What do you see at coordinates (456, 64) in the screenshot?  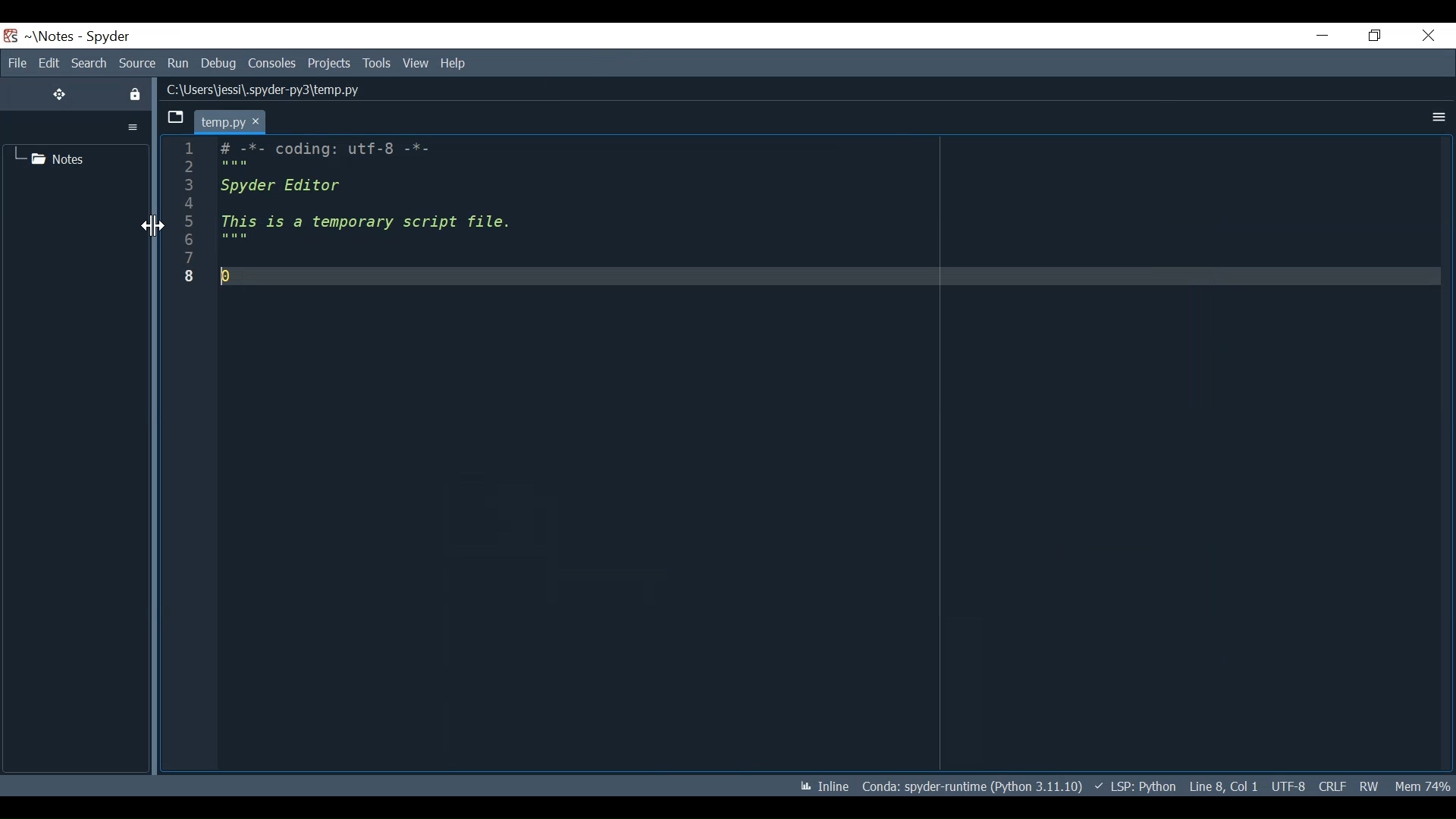 I see `Help` at bounding box center [456, 64].